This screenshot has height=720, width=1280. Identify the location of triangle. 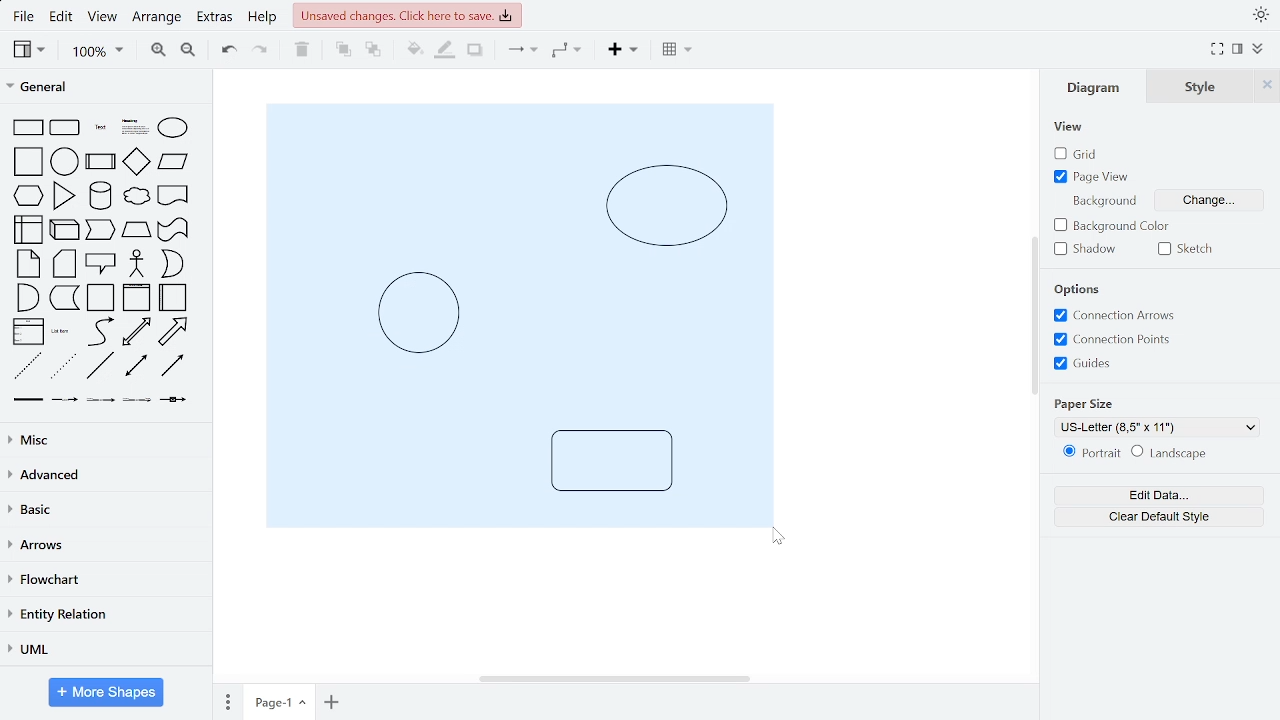
(64, 196).